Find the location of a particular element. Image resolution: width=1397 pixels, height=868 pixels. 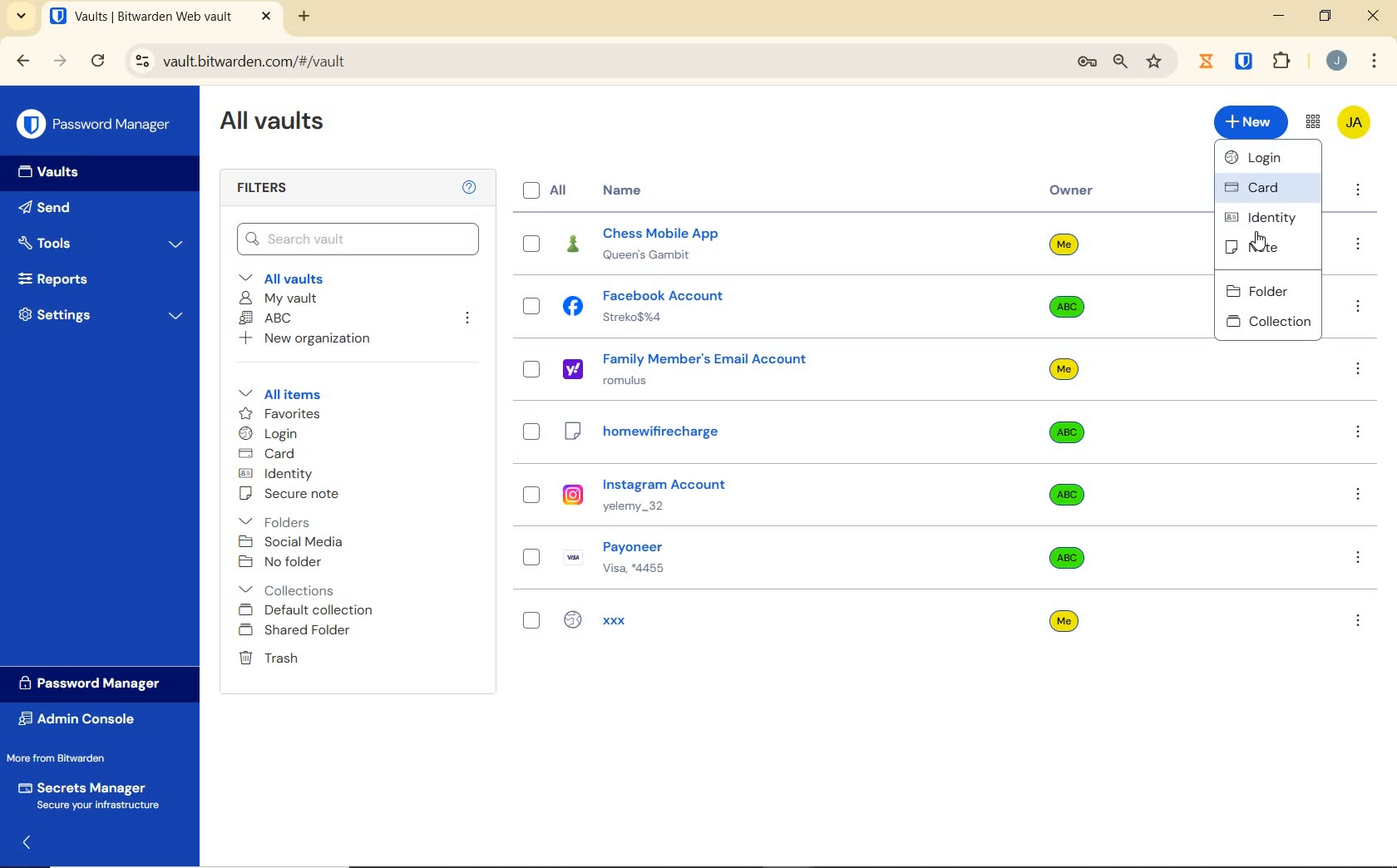

more options is located at coordinates (1359, 372).